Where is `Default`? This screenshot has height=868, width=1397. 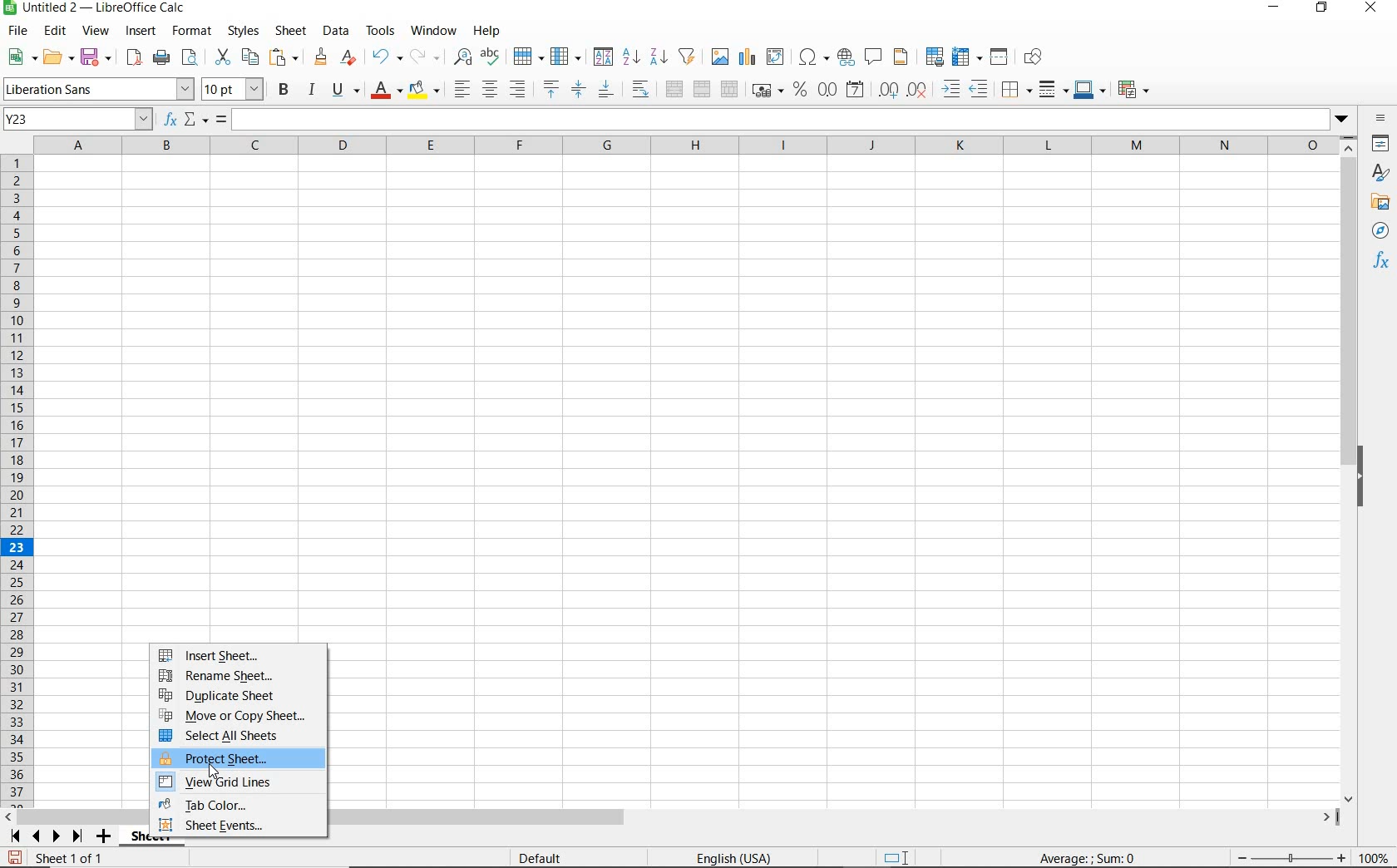
Default is located at coordinates (550, 855).